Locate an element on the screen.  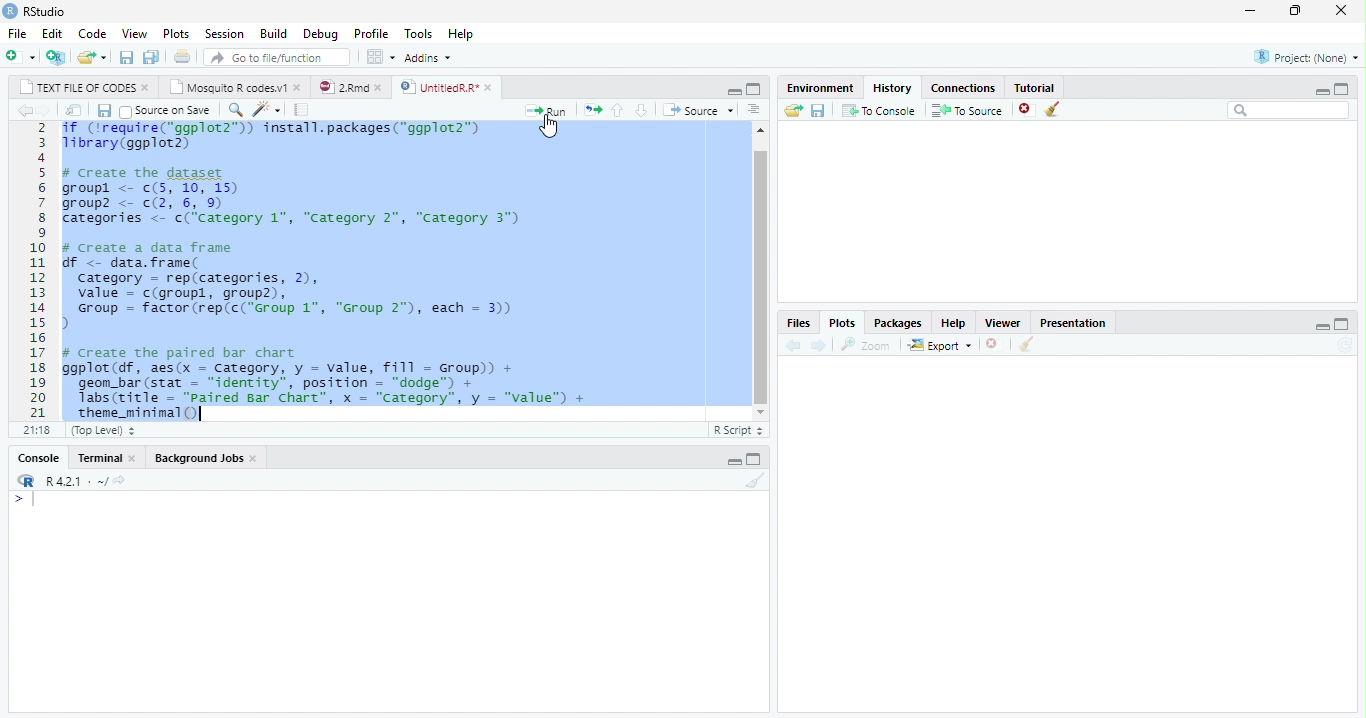
scroll down is located at coordinates (762, 413).